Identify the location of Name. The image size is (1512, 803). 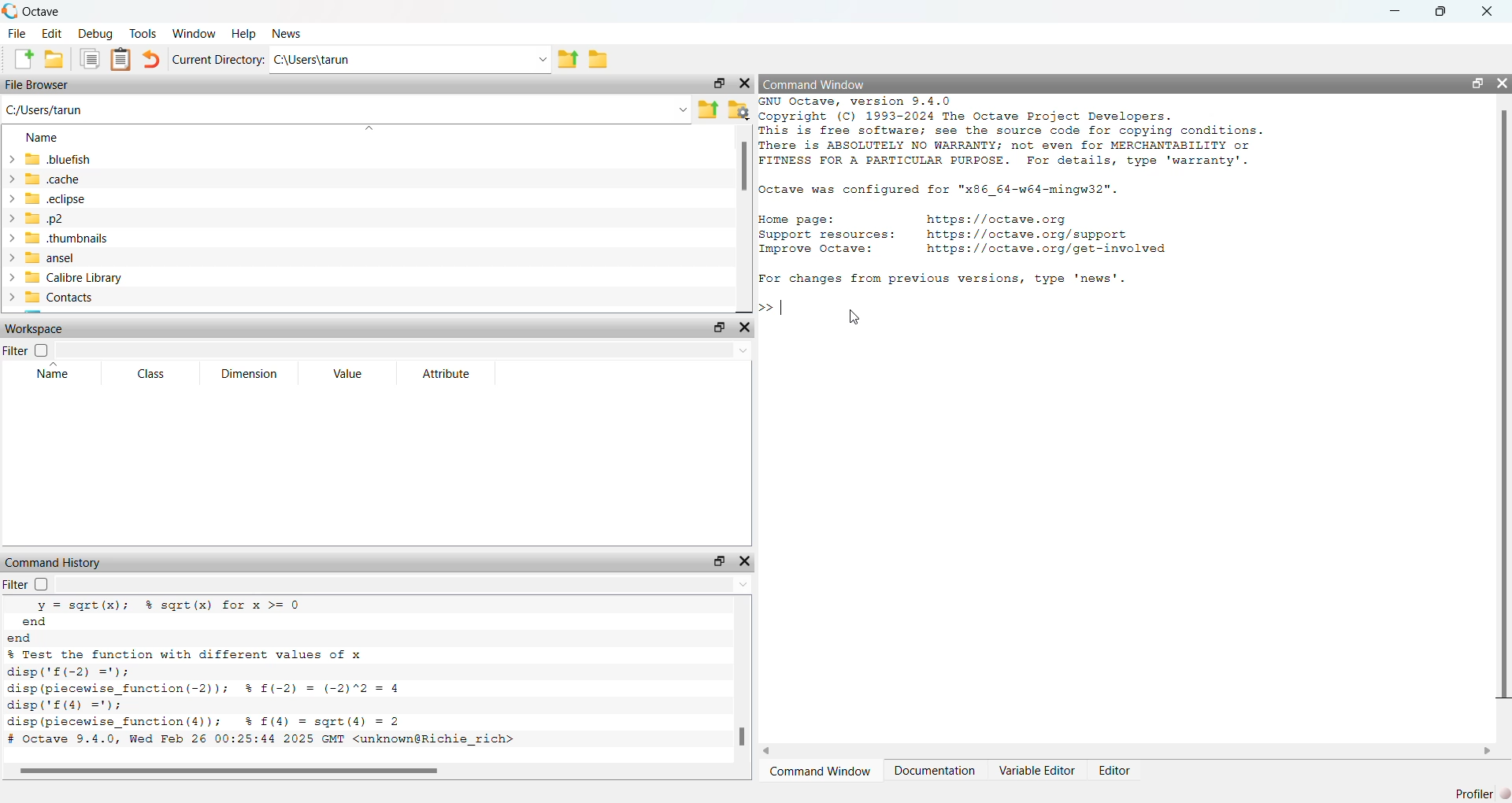
(57, 373).